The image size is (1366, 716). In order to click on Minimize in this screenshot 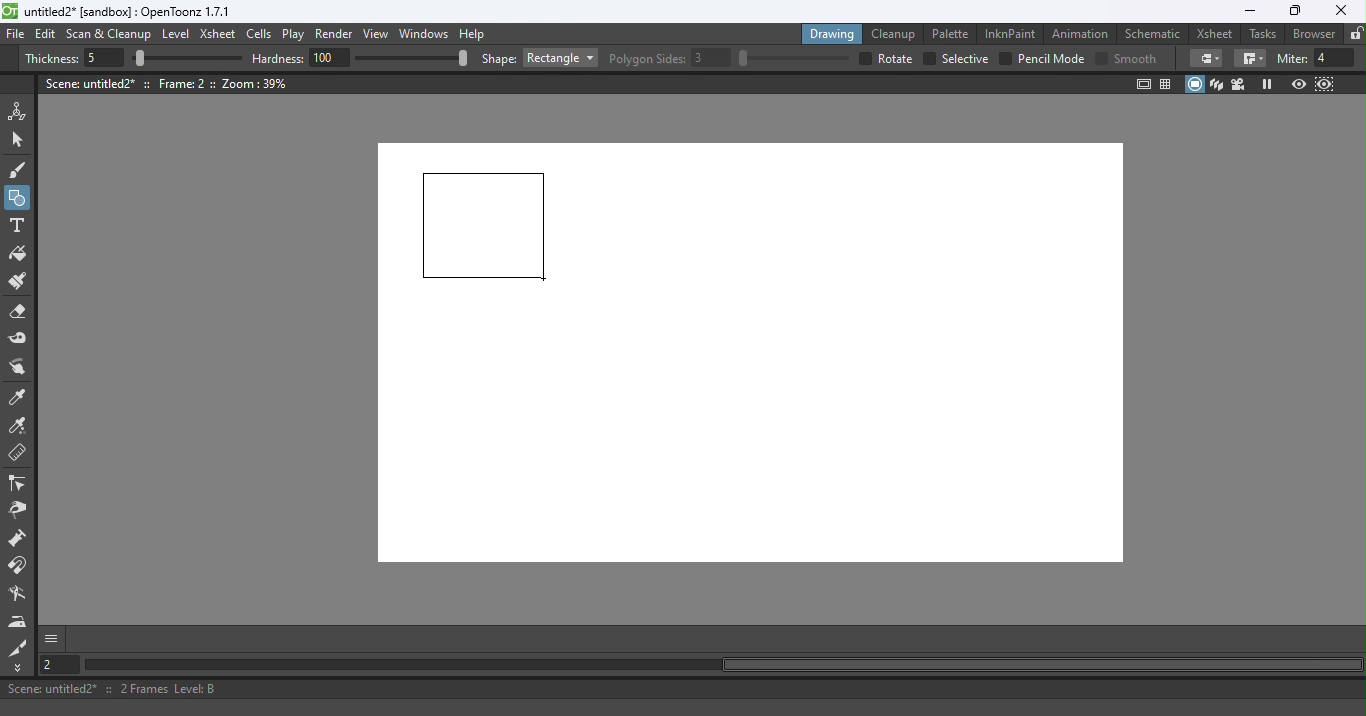, I will do `click(1249, 11)`.